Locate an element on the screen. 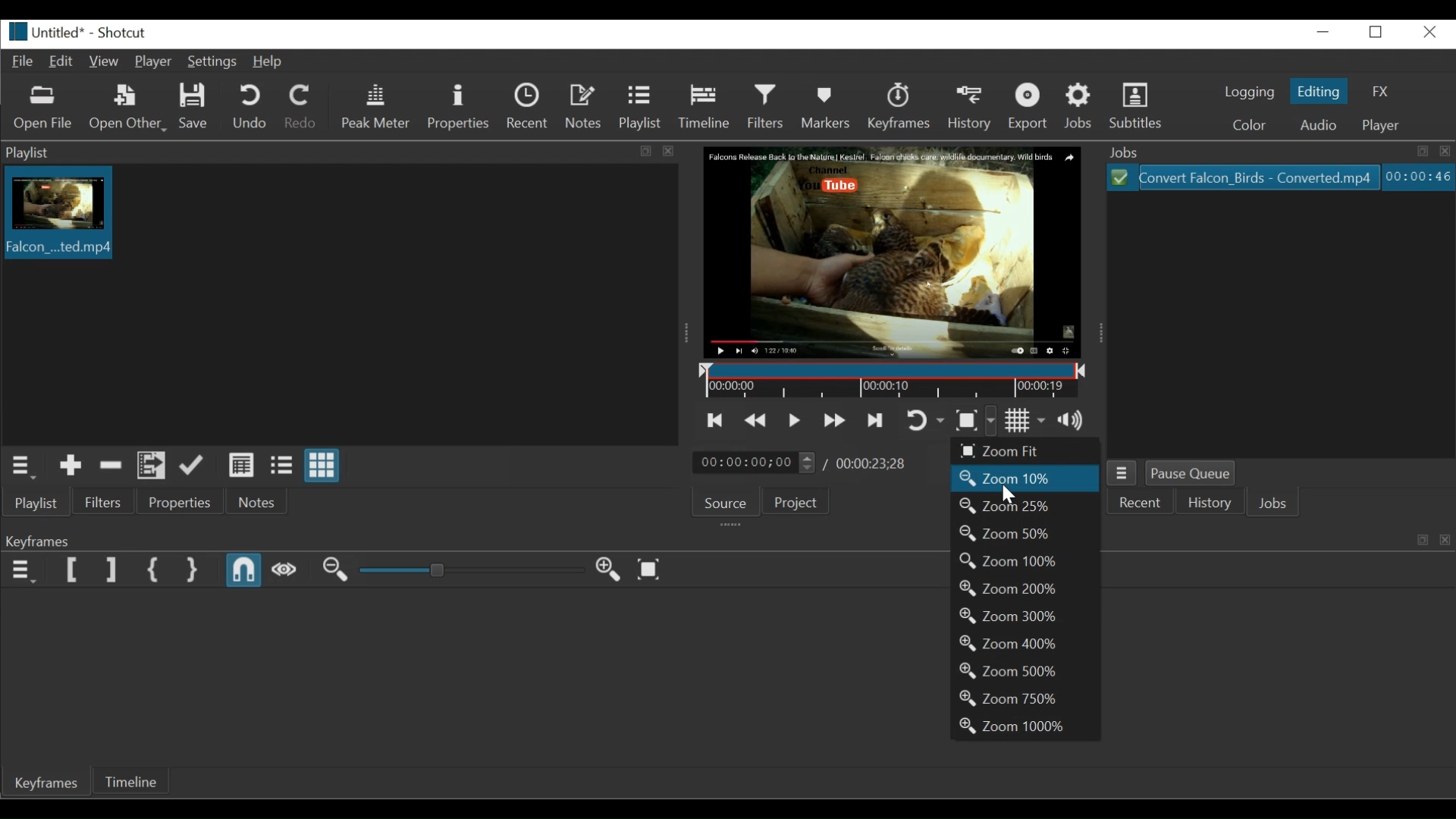 The height and width of the screenshot is (819, 1456). Toggle play or pause is located at coordinates (795, 420).